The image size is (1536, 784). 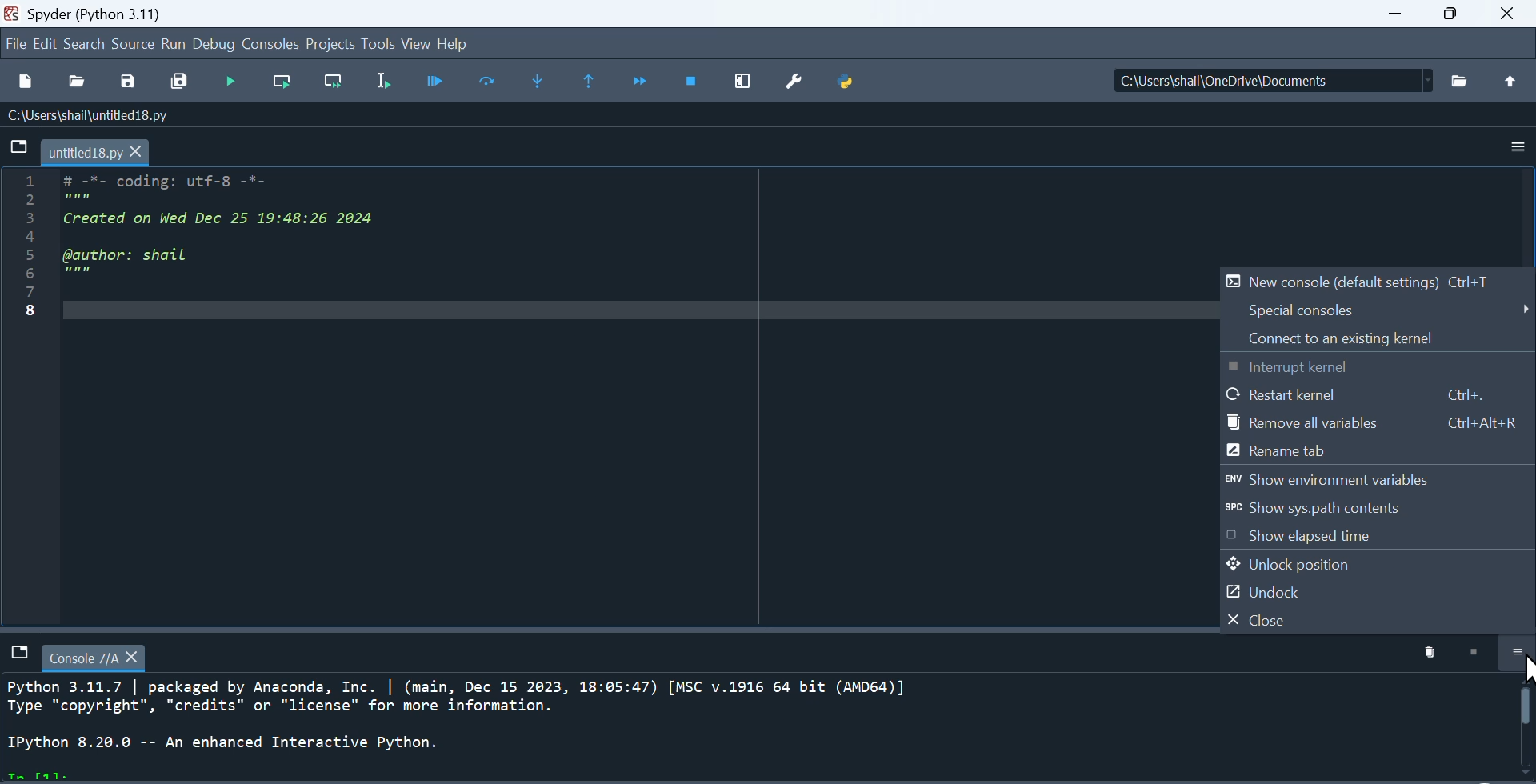 I want to click on python path manager, so click(x=846, y=80).